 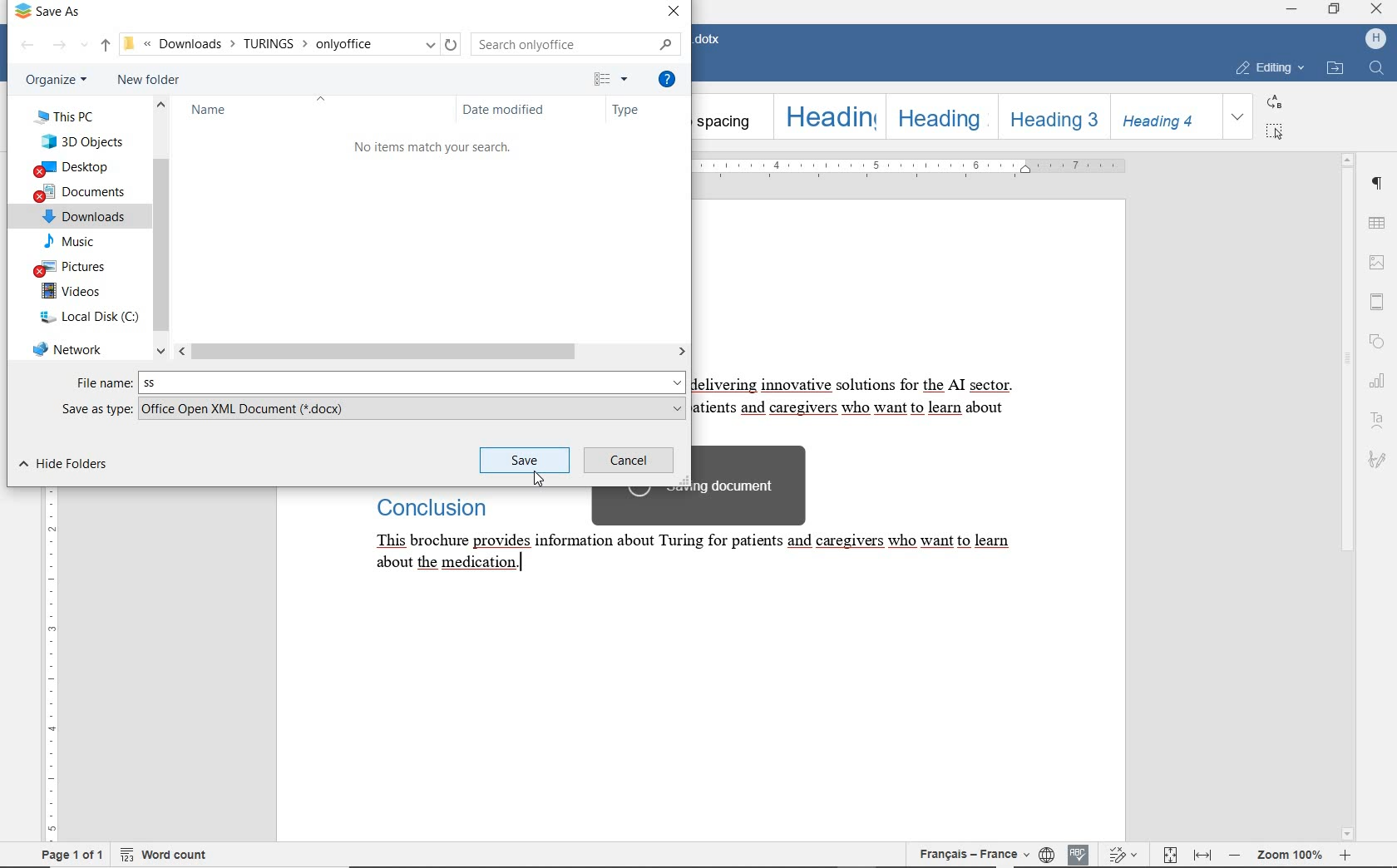 I want to click on SEARCH, so click(x=575, y=42).